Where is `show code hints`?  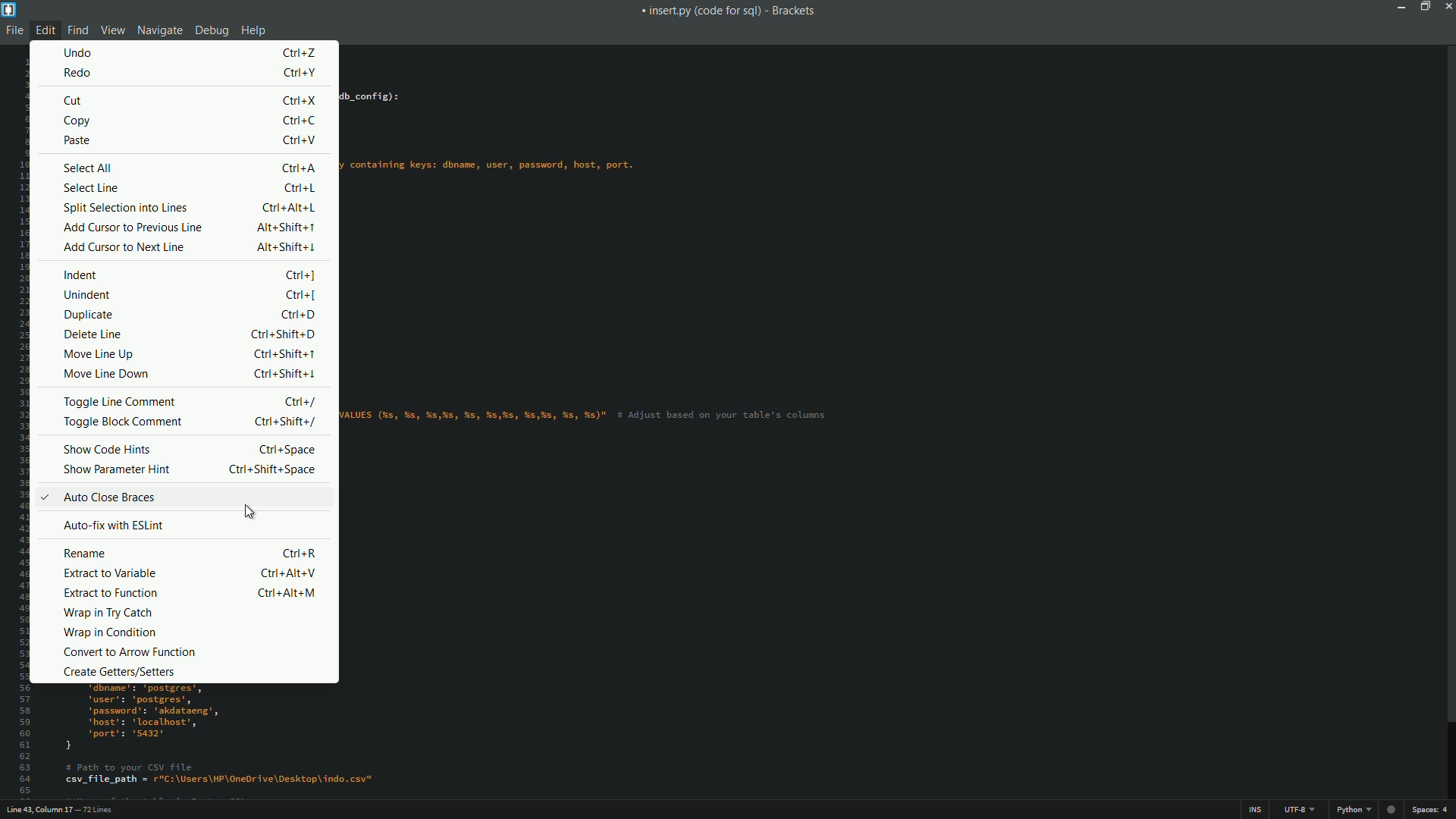
show code hints is located at coordinates (110, 450).